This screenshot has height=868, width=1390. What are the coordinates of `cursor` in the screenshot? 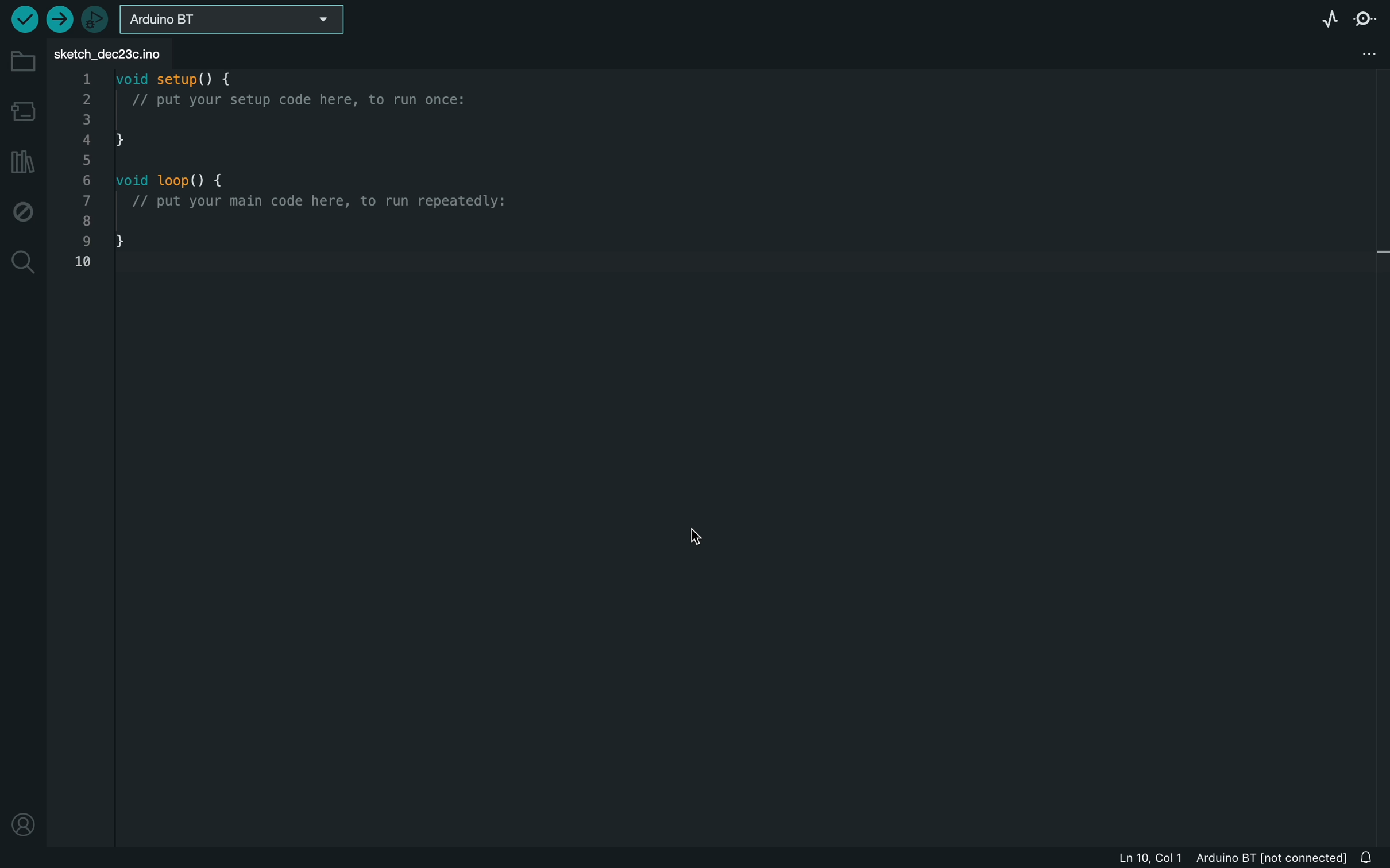 It's located at (692, 533).